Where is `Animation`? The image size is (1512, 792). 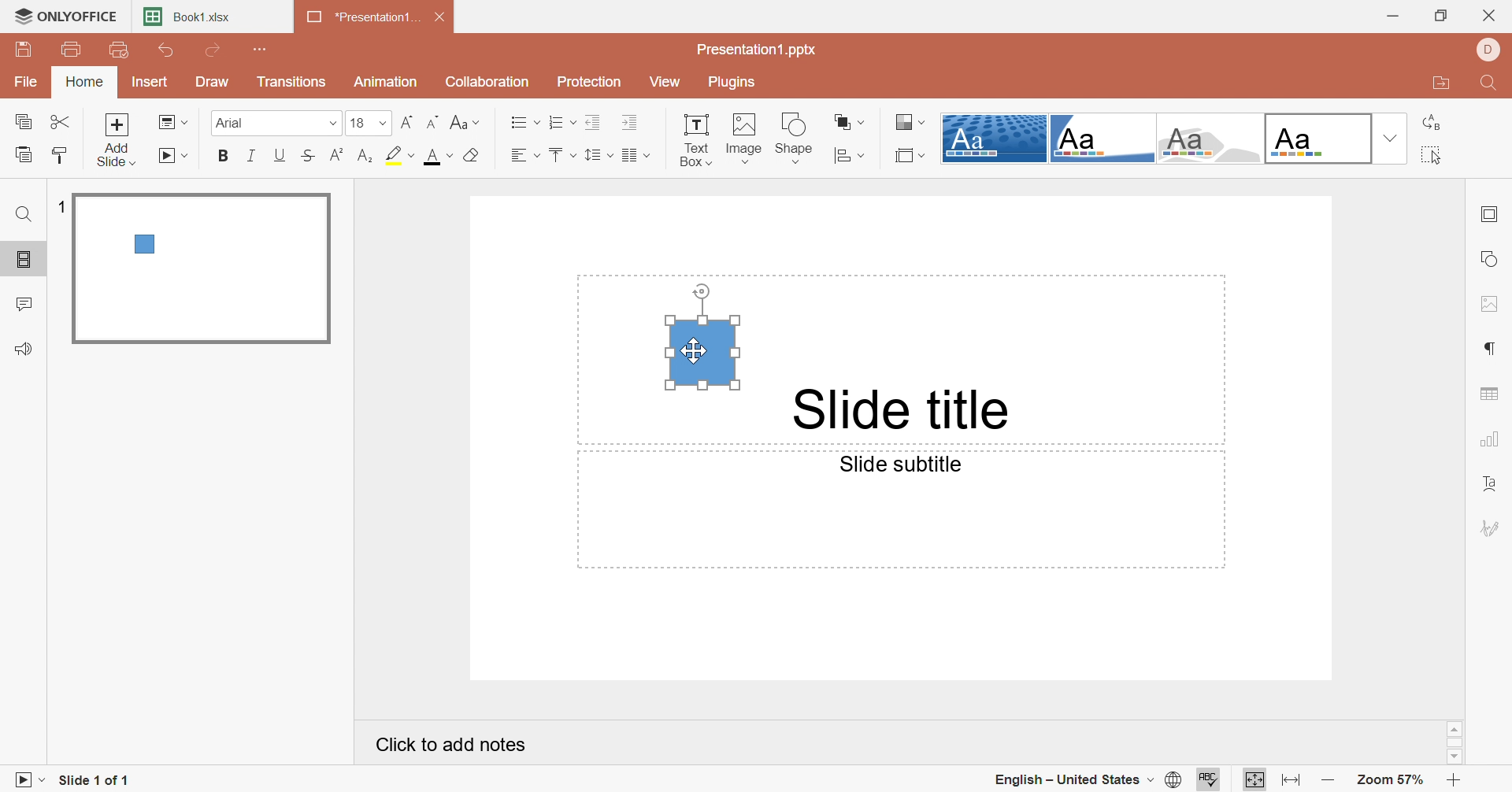
Animation is located at coordinates (384, 80).